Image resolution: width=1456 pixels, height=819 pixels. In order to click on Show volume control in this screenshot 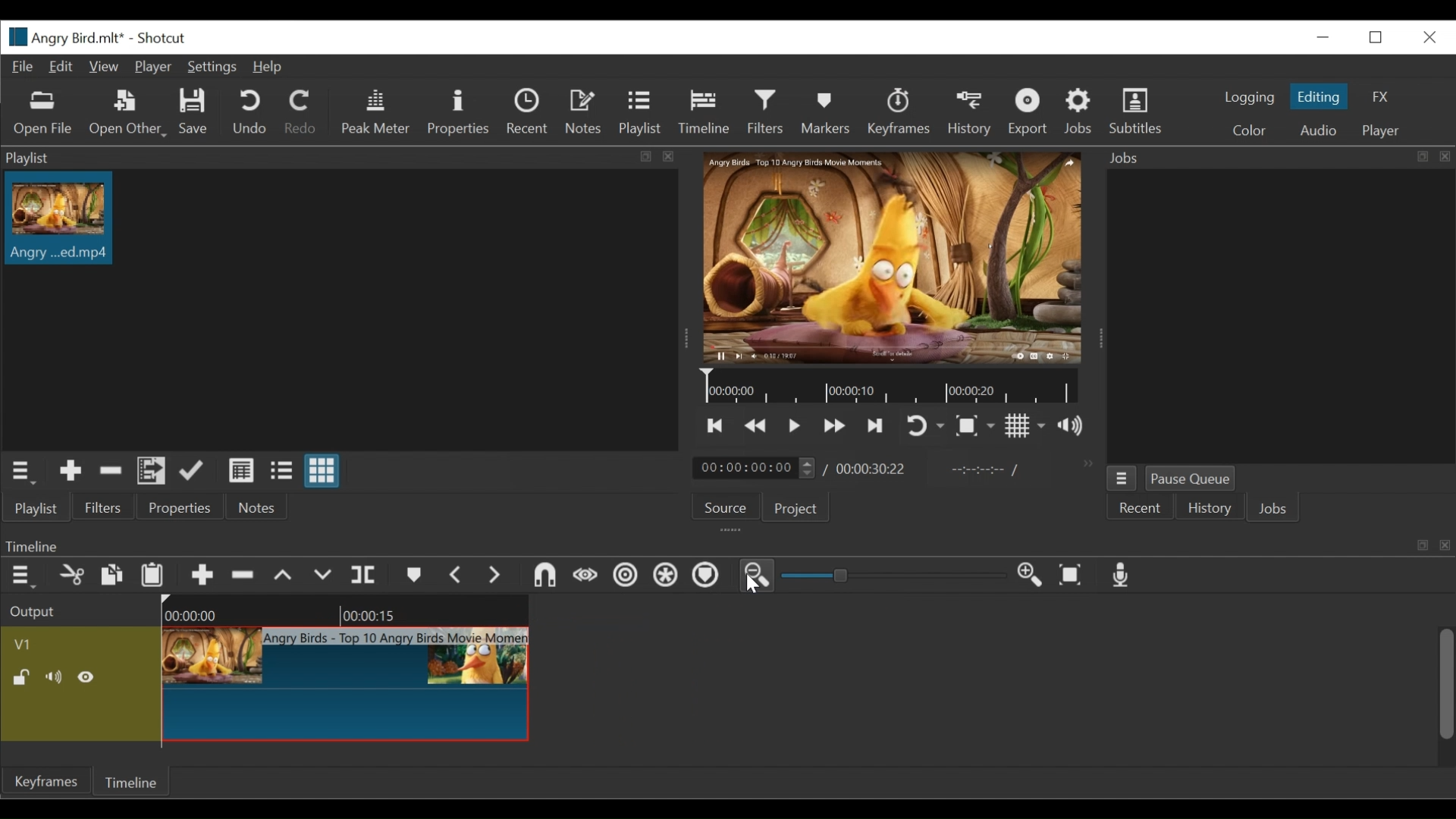, I will do `click(1075, 427)`.